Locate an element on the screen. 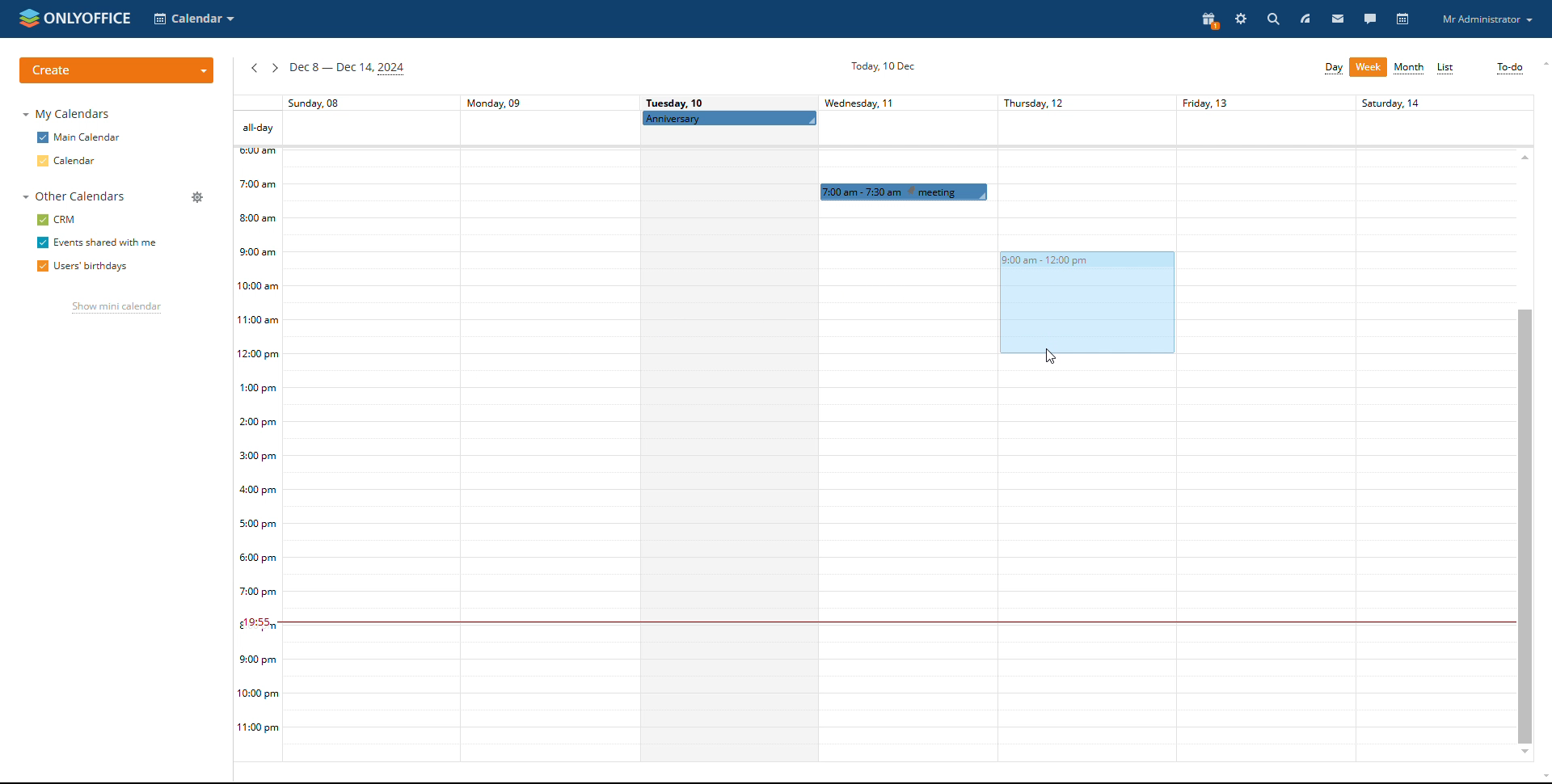 The image size is (1552, 784). select application is located at coordinates (194, 19).